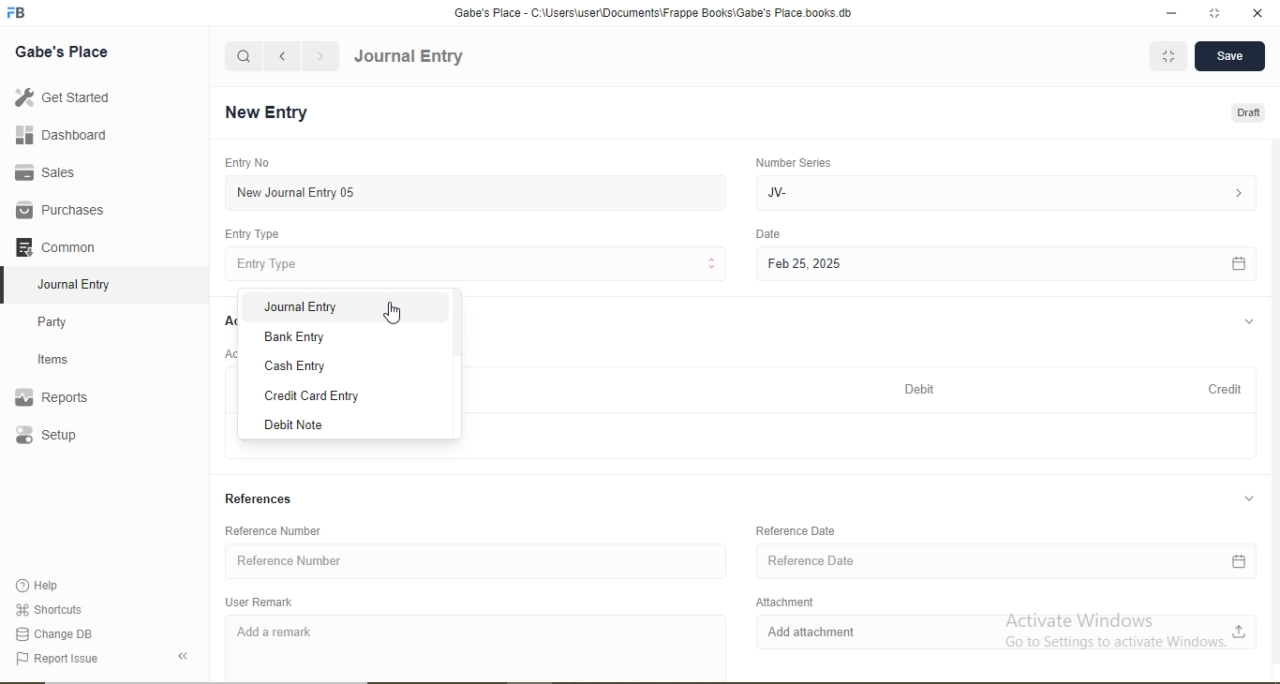 The width and height of the screenshot is (1280, 684). I want to click on Entry Type, so click(254, 234).